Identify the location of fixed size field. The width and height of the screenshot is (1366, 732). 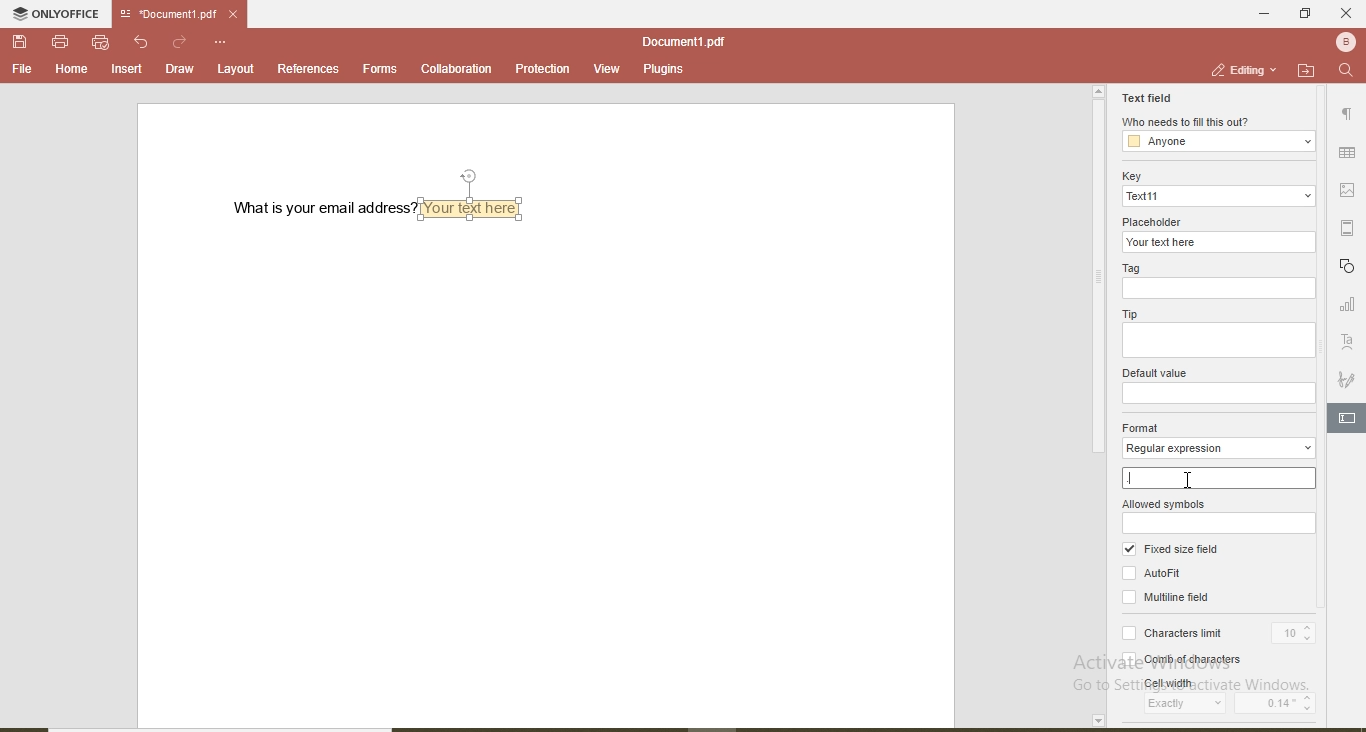
(1177, 550).